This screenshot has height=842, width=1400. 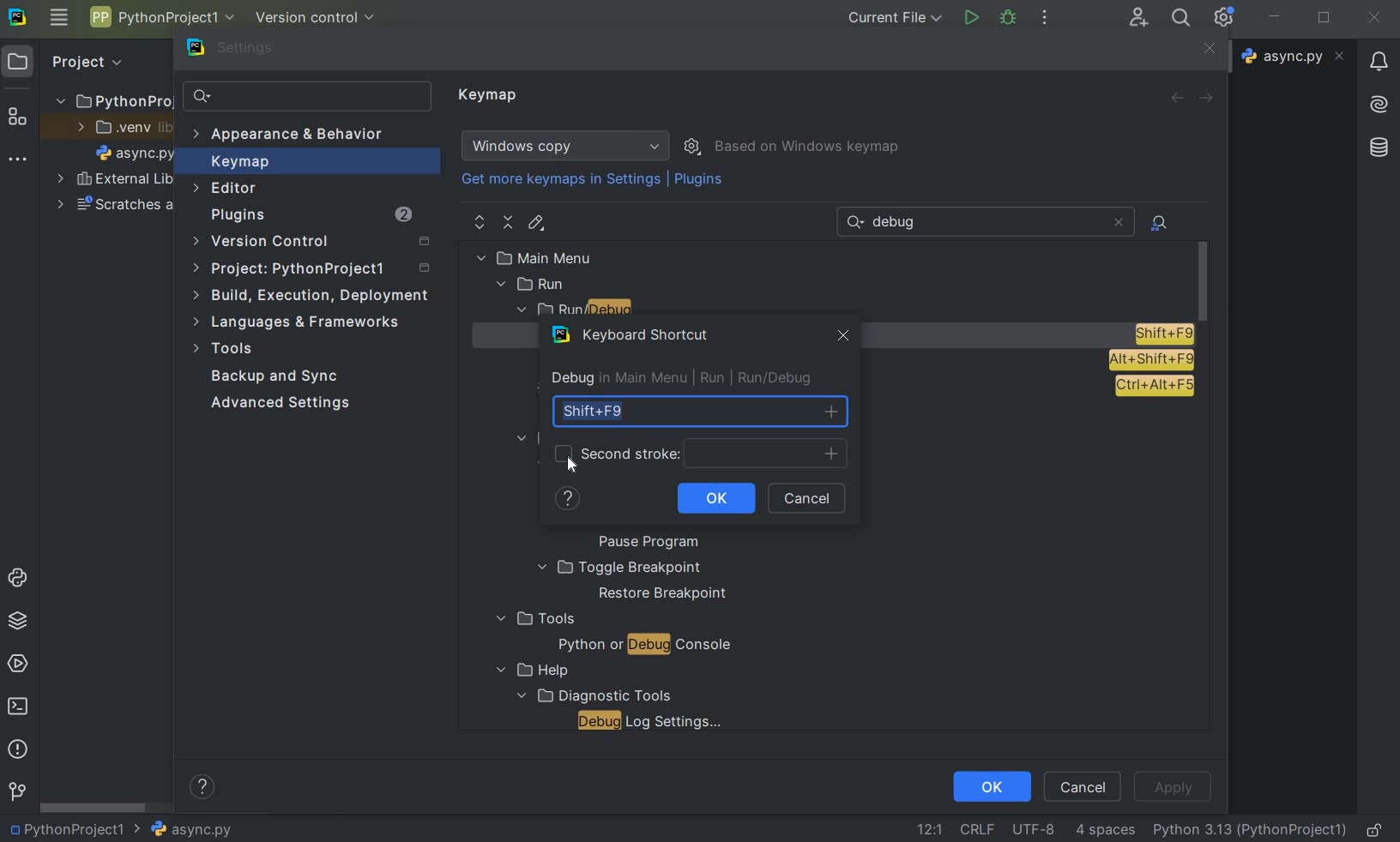 What do you see at coordinates (1377, 99) in the screenshot?
I see `AI asistant` at bounding box center [1377, 99].